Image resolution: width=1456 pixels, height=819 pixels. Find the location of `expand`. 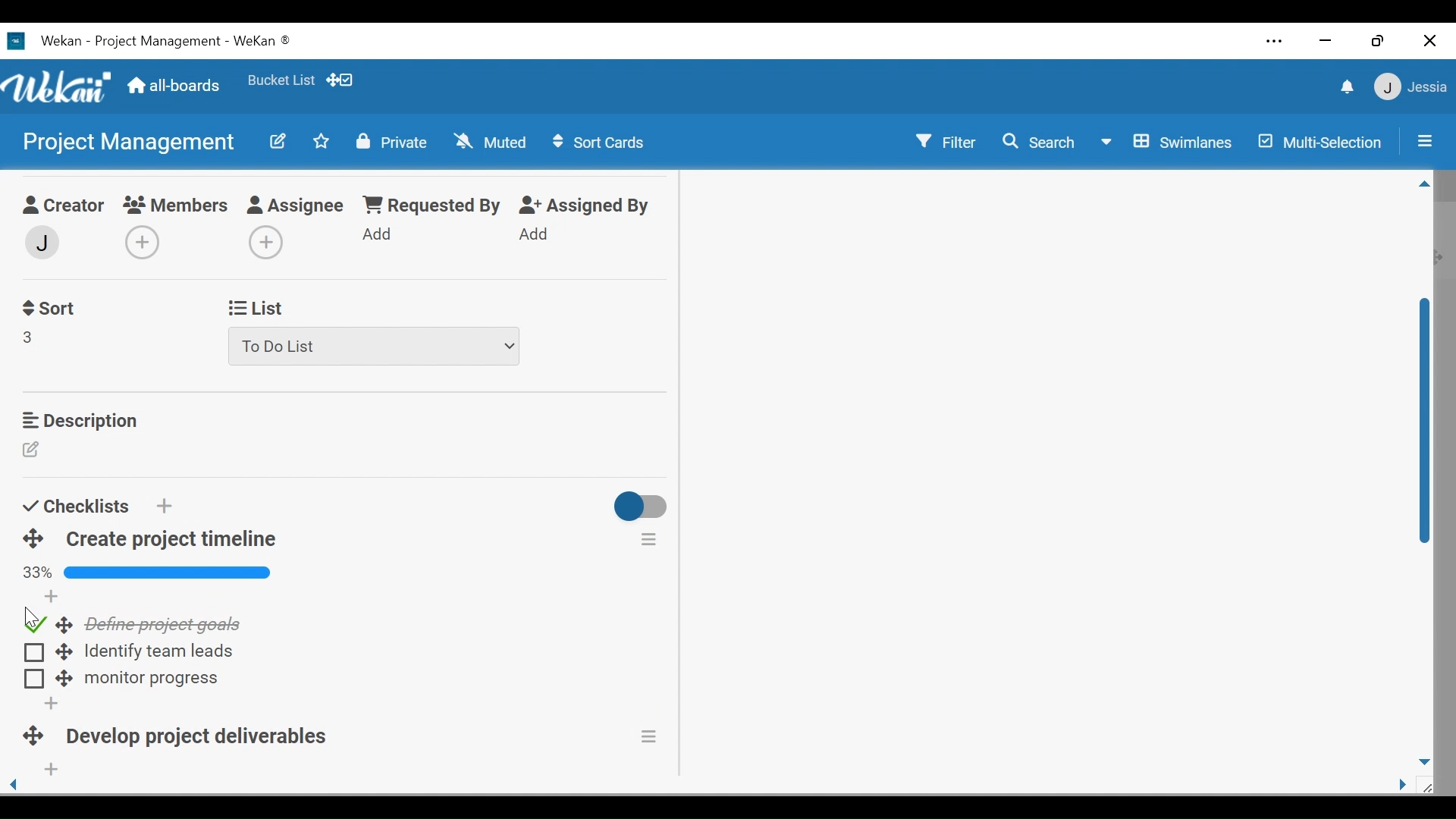

expand is located at coordinates (70, 679).